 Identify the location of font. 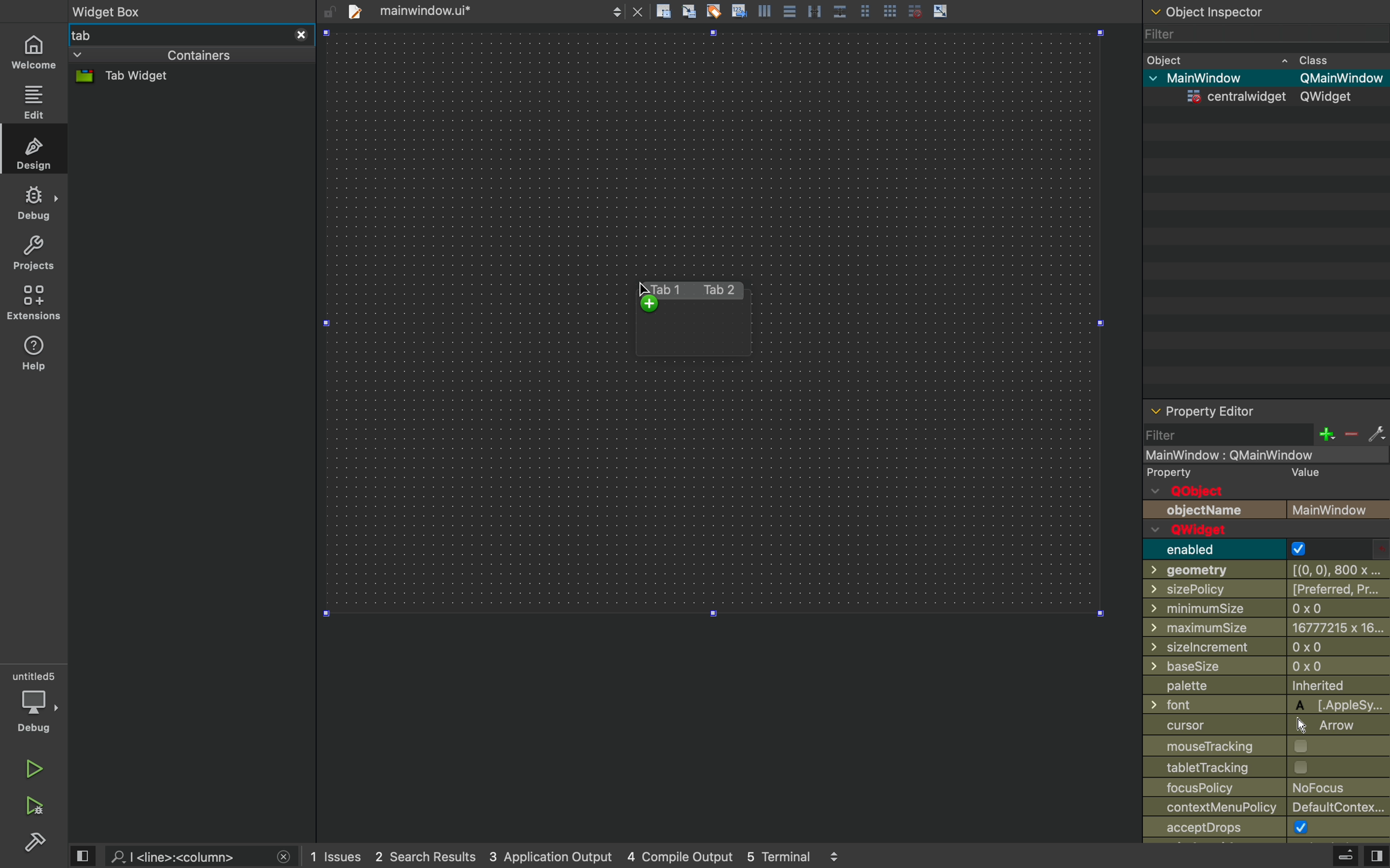
(1266, 706).